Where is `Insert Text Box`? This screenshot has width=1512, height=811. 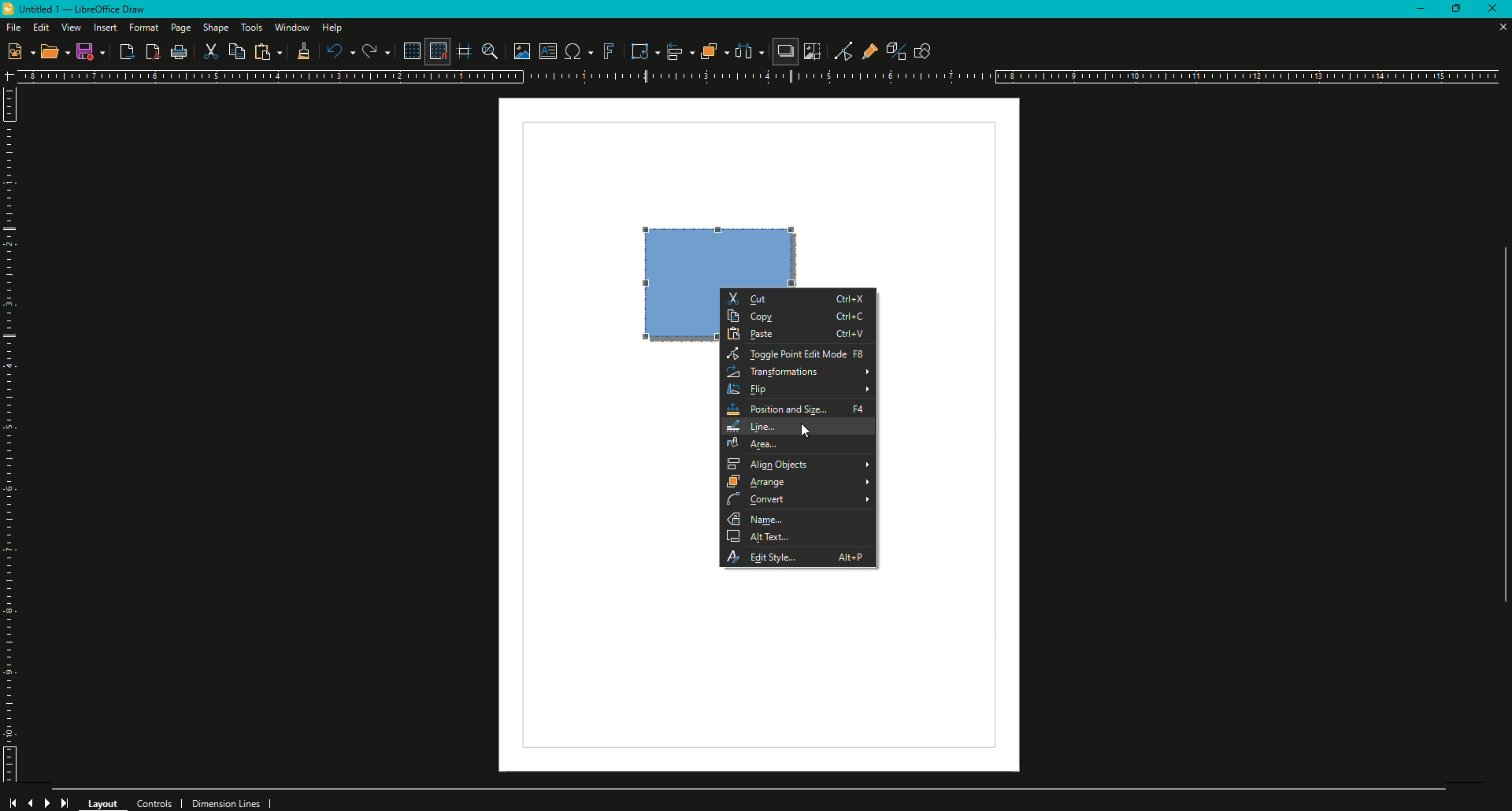
Insert Text Box is located at coordinates (546, 51).